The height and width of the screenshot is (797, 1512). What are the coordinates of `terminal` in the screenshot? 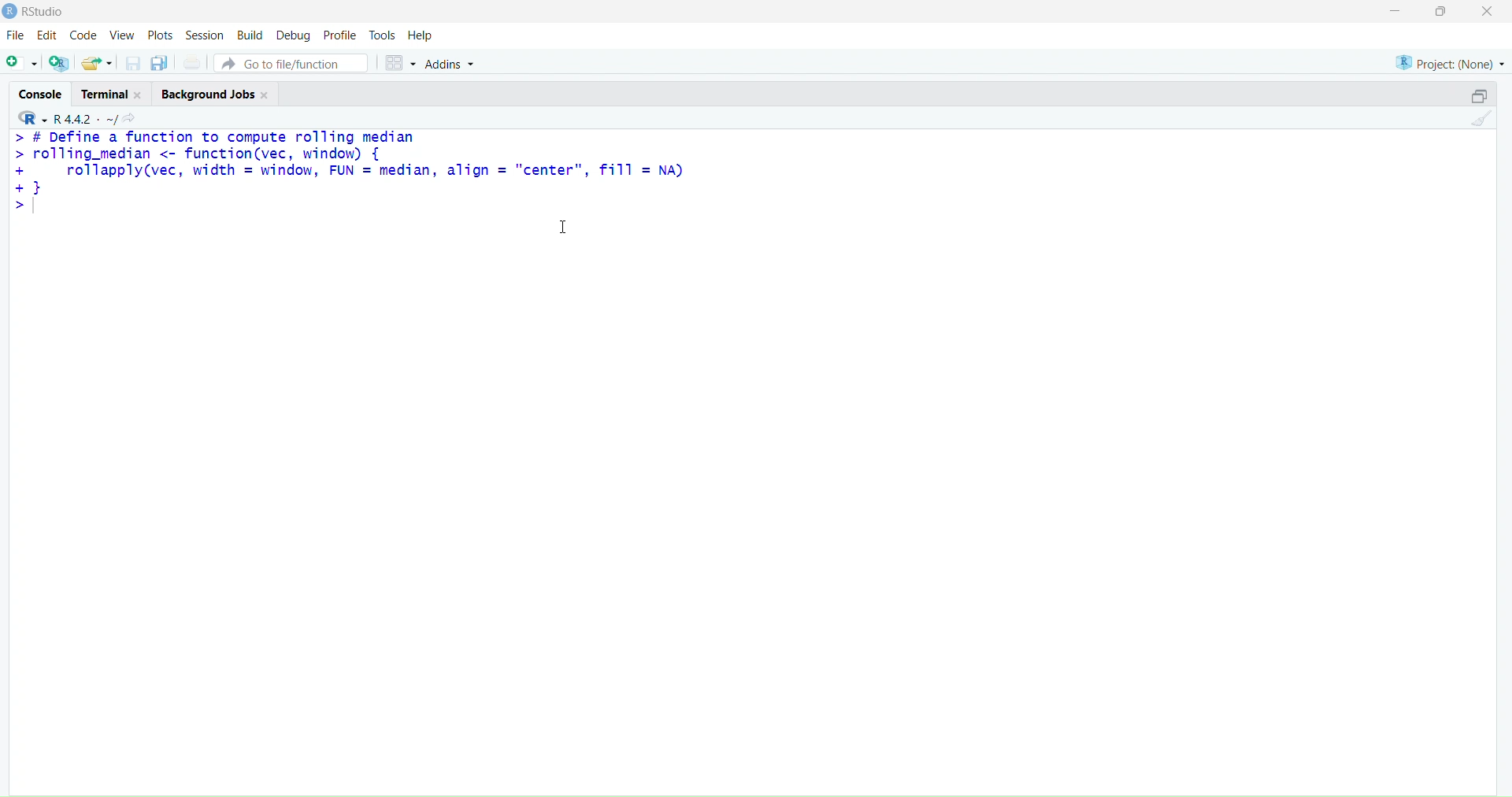 It's located at (104, 95).